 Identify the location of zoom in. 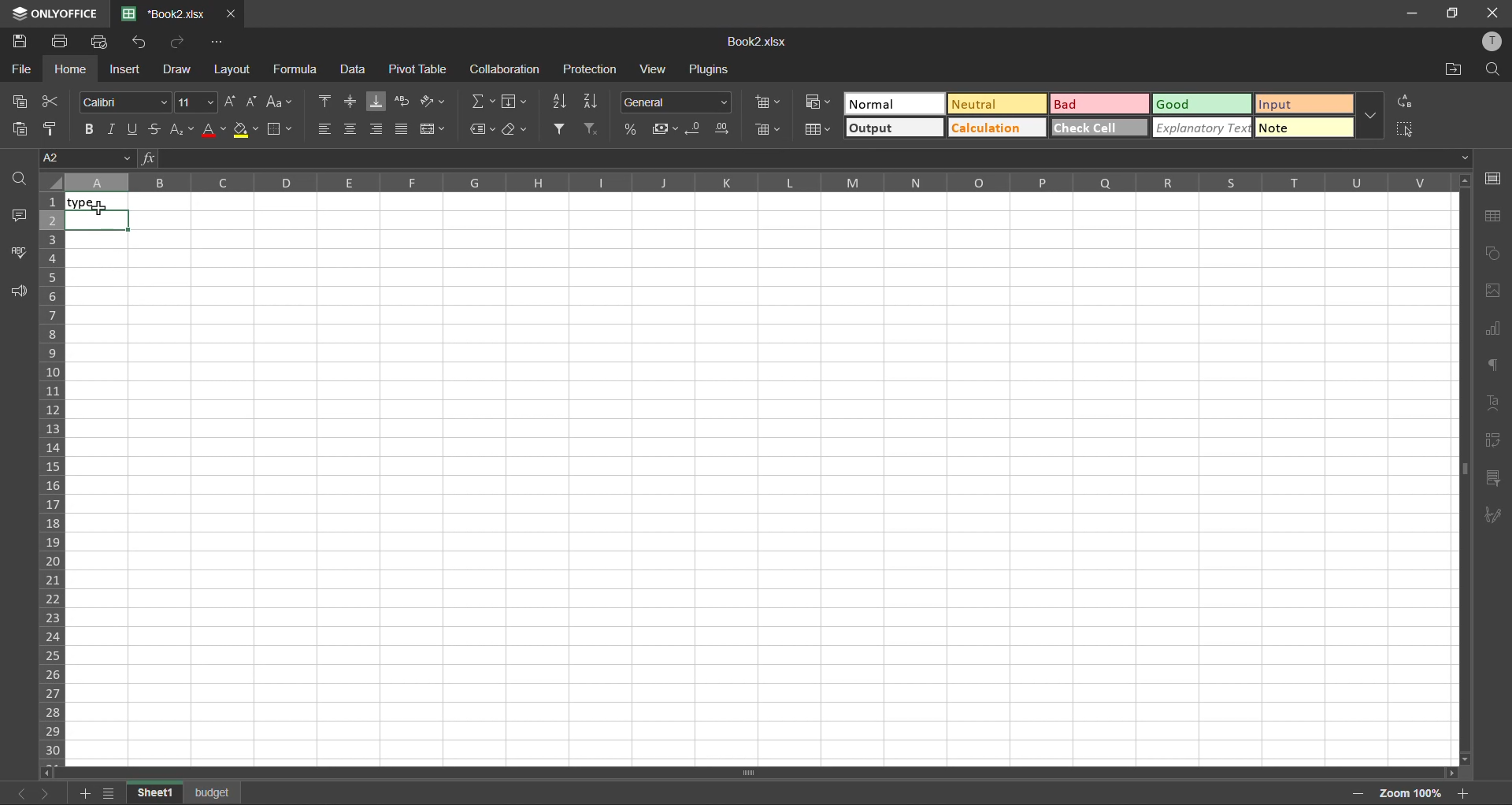
(1466, 793).